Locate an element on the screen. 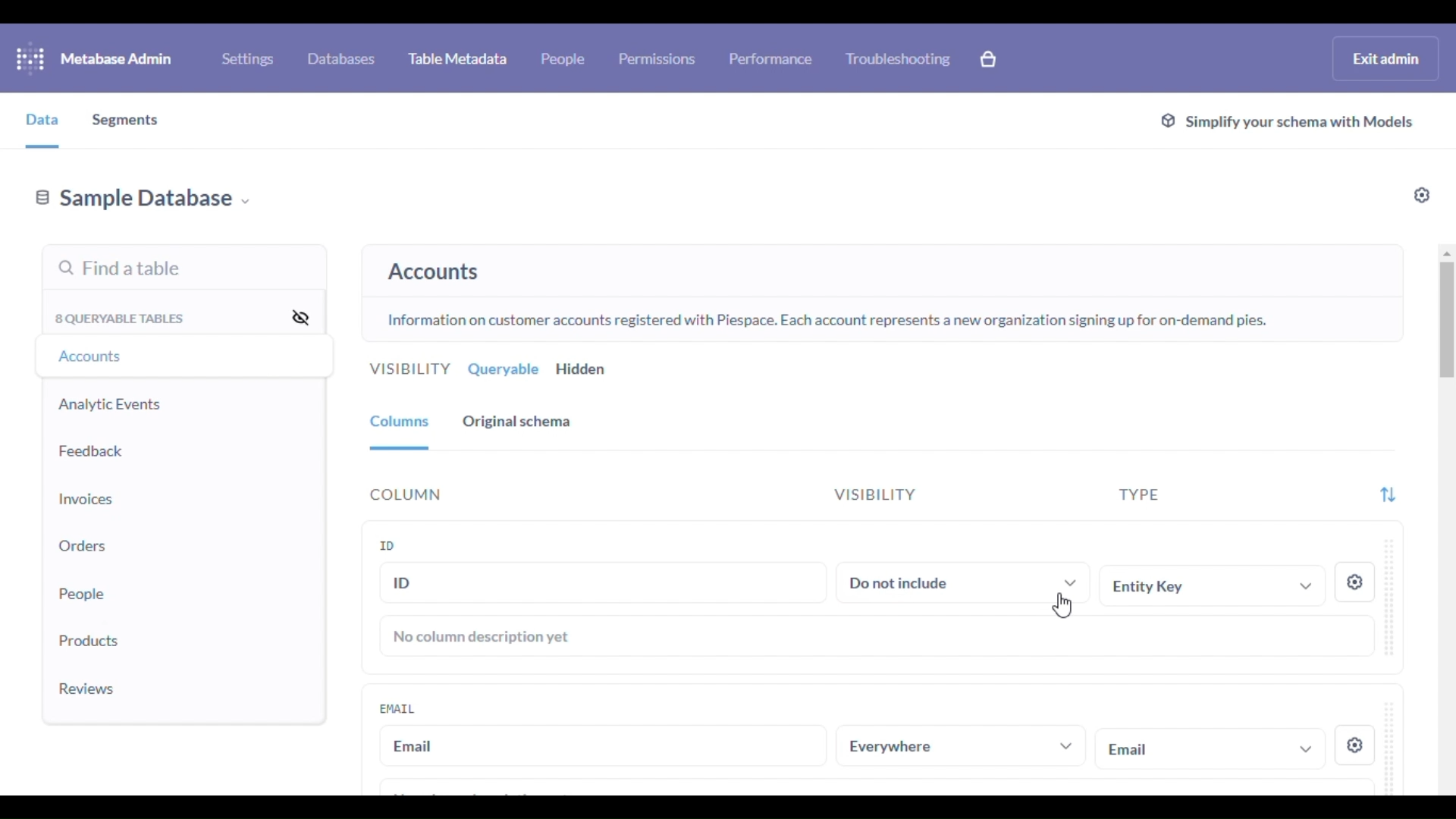 The width and height of the screenshot is (1456, 819). settings is located at coordinates (1354, 746).